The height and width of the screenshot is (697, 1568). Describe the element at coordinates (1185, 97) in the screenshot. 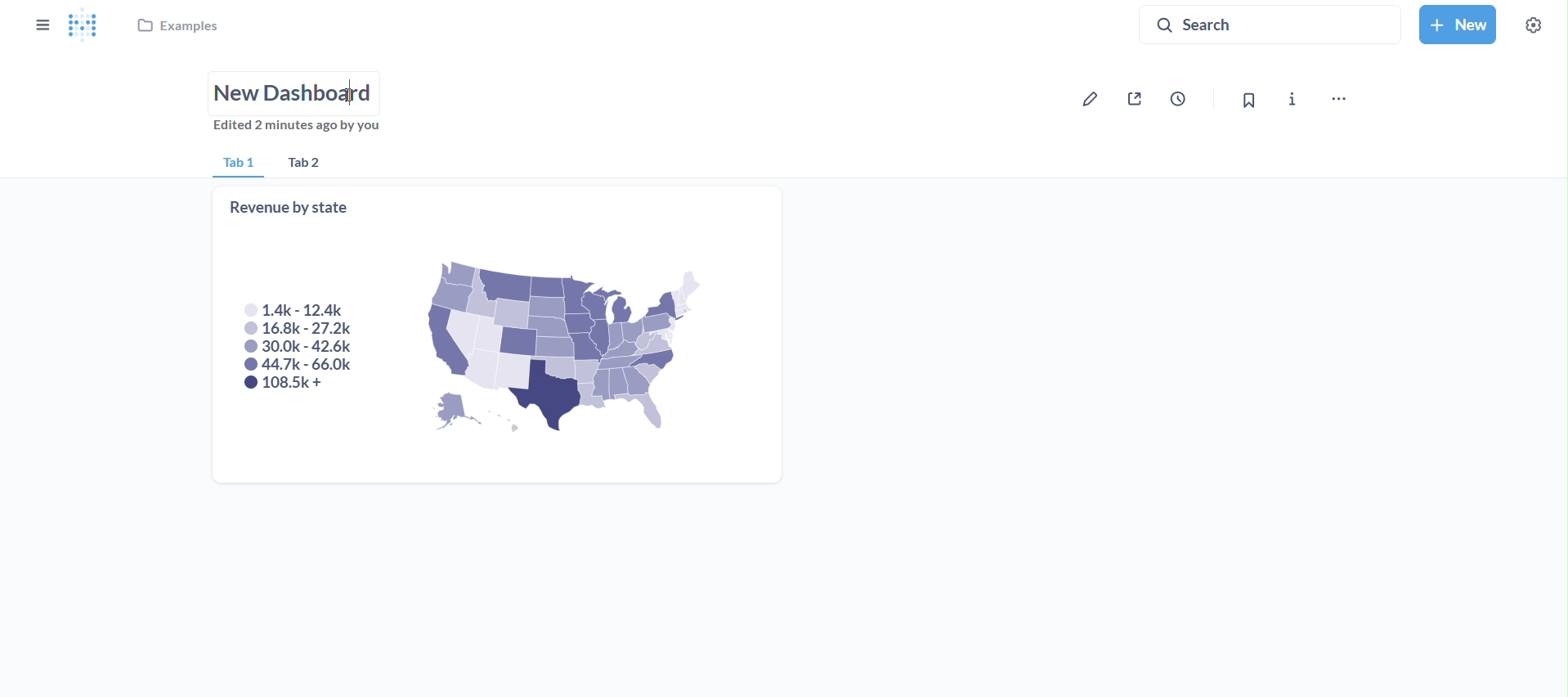

I see `auto refresh` at that location.